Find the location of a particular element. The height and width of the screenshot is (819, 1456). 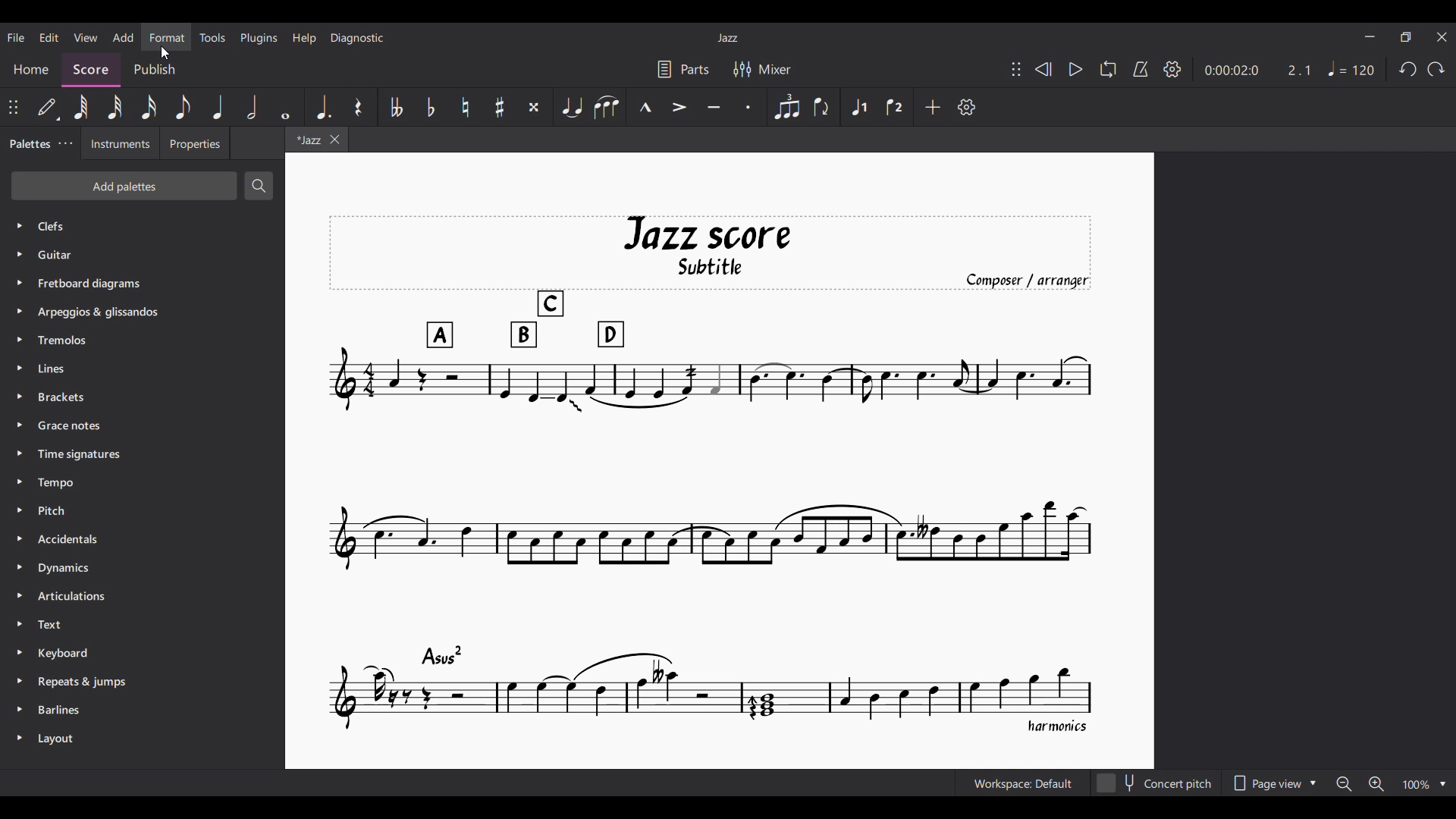

Repeats is located at coordinates (88, 682).